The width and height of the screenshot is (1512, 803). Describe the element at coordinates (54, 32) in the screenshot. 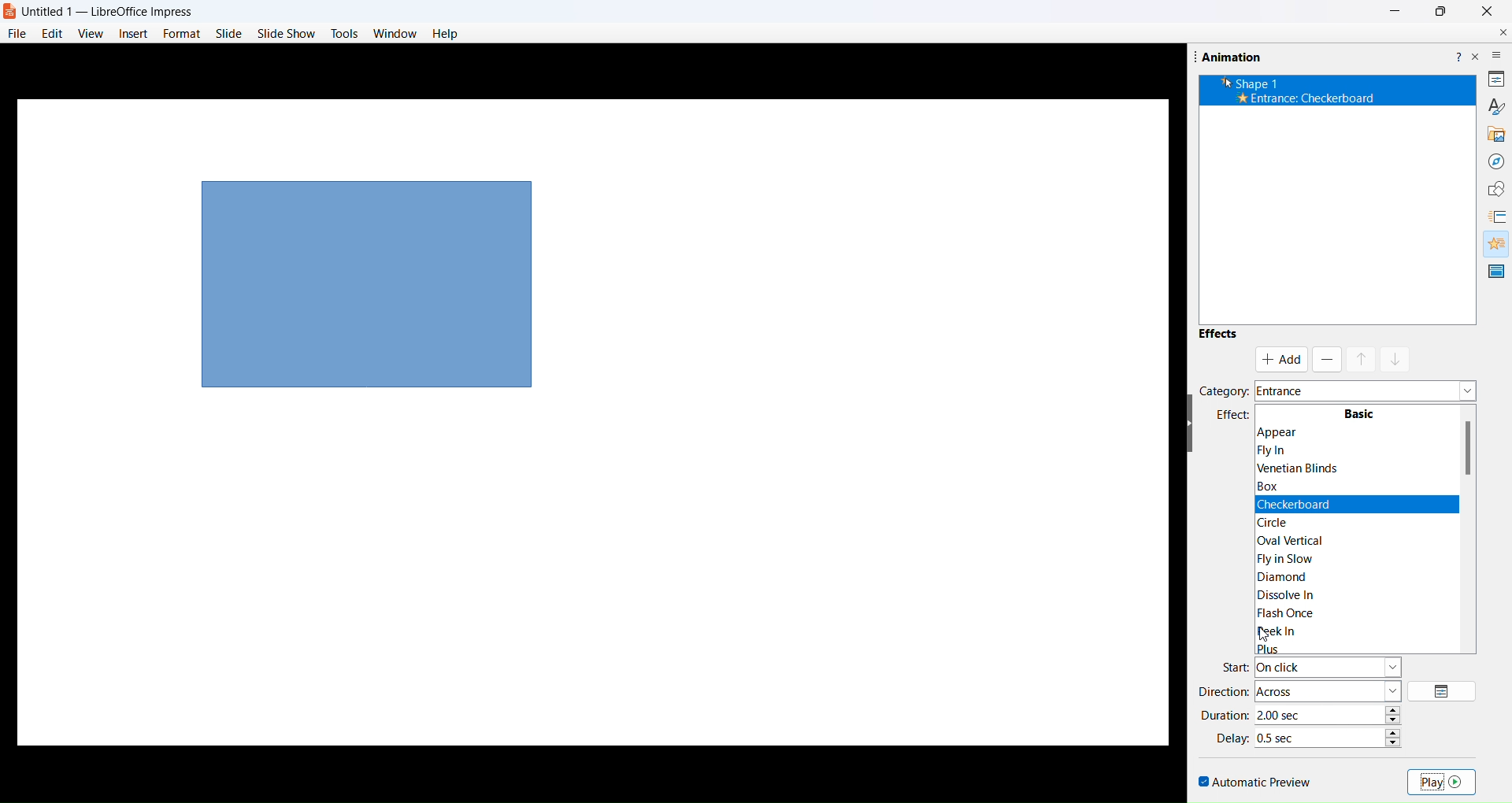

I see `edit` at that location.